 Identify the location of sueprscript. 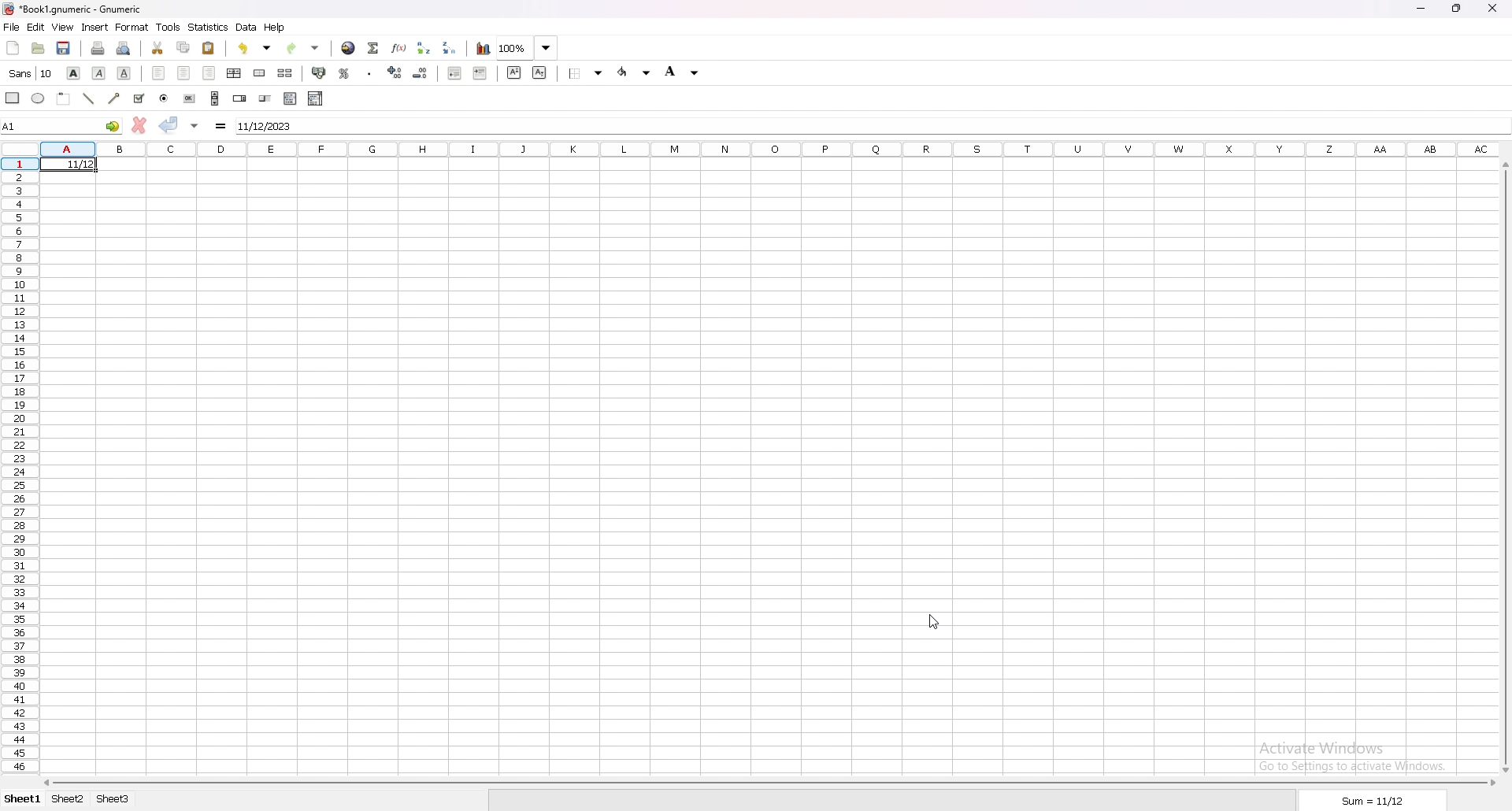
(514, 72).